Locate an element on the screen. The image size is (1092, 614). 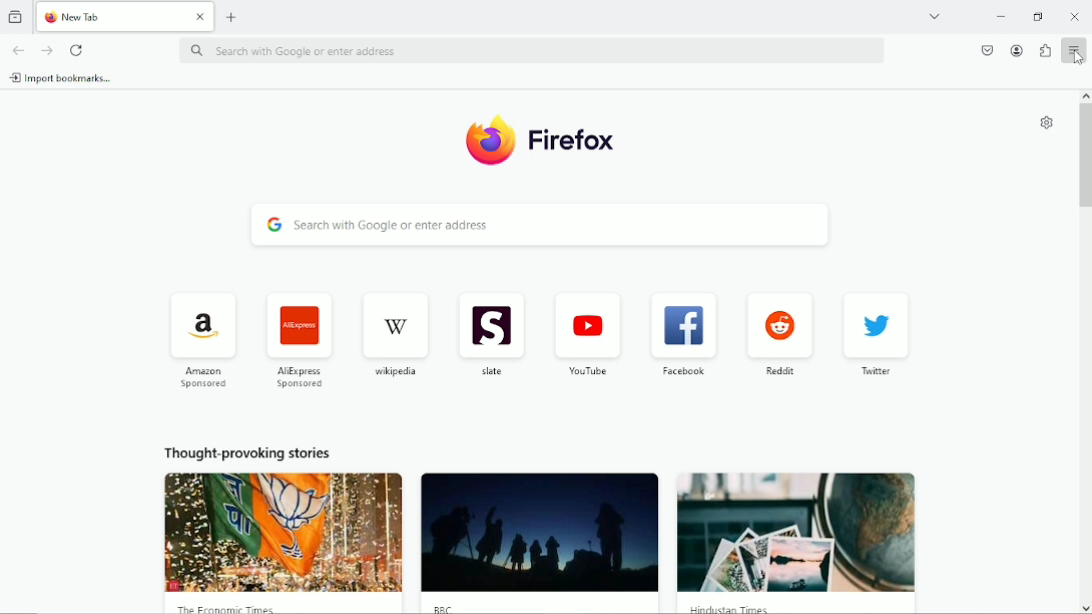
close is located at coordinates (200, 17).